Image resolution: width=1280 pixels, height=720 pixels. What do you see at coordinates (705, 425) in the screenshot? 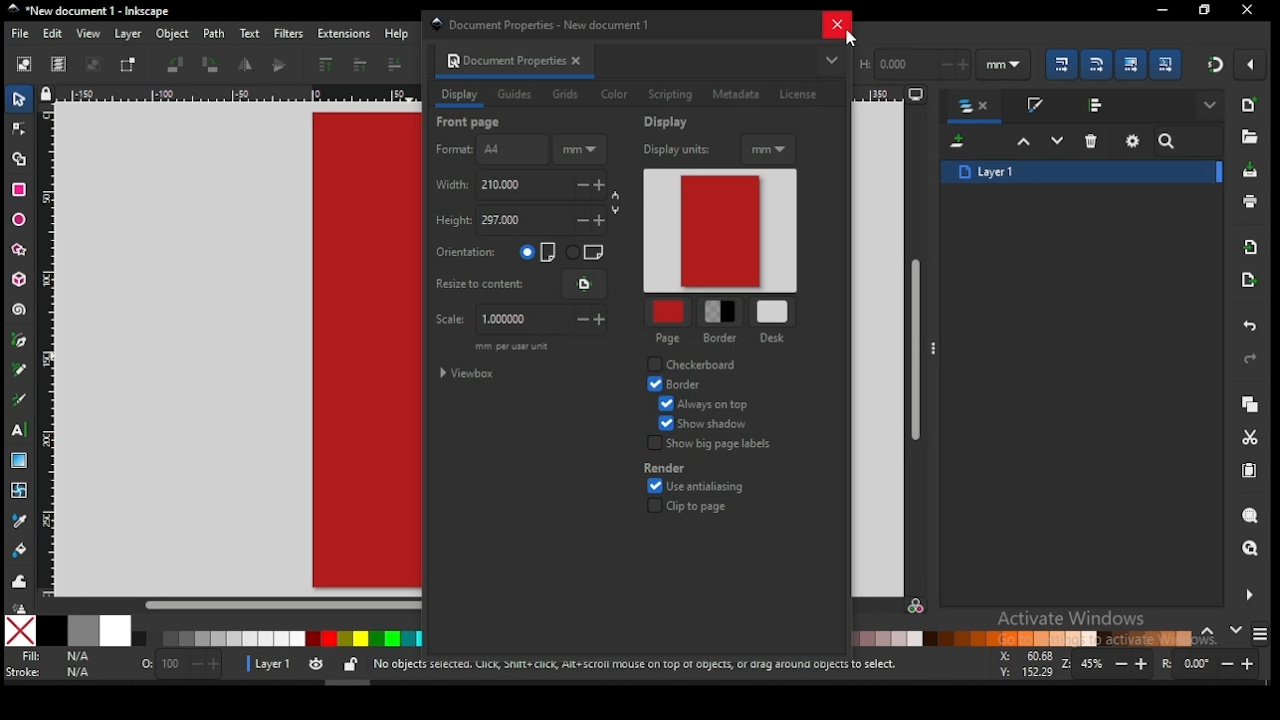
I see `checkbox: show shadow` at bounding box center [705, 425].